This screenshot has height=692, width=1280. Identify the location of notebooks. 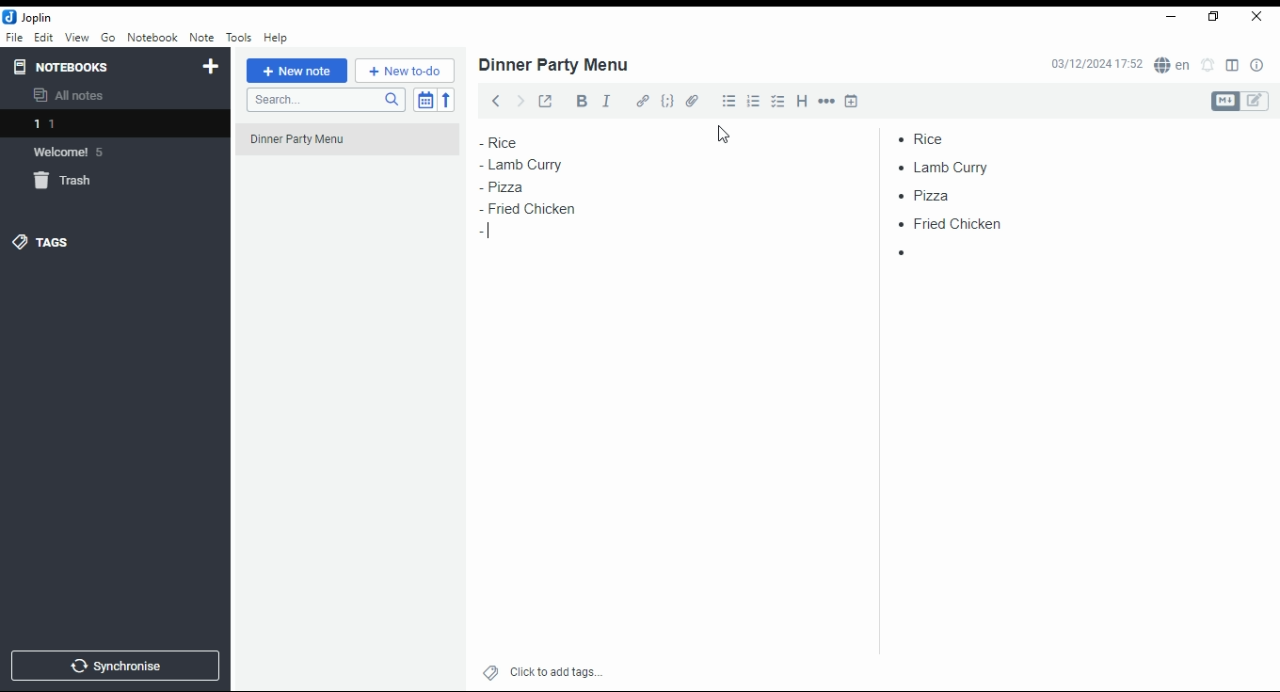
(66, 66).